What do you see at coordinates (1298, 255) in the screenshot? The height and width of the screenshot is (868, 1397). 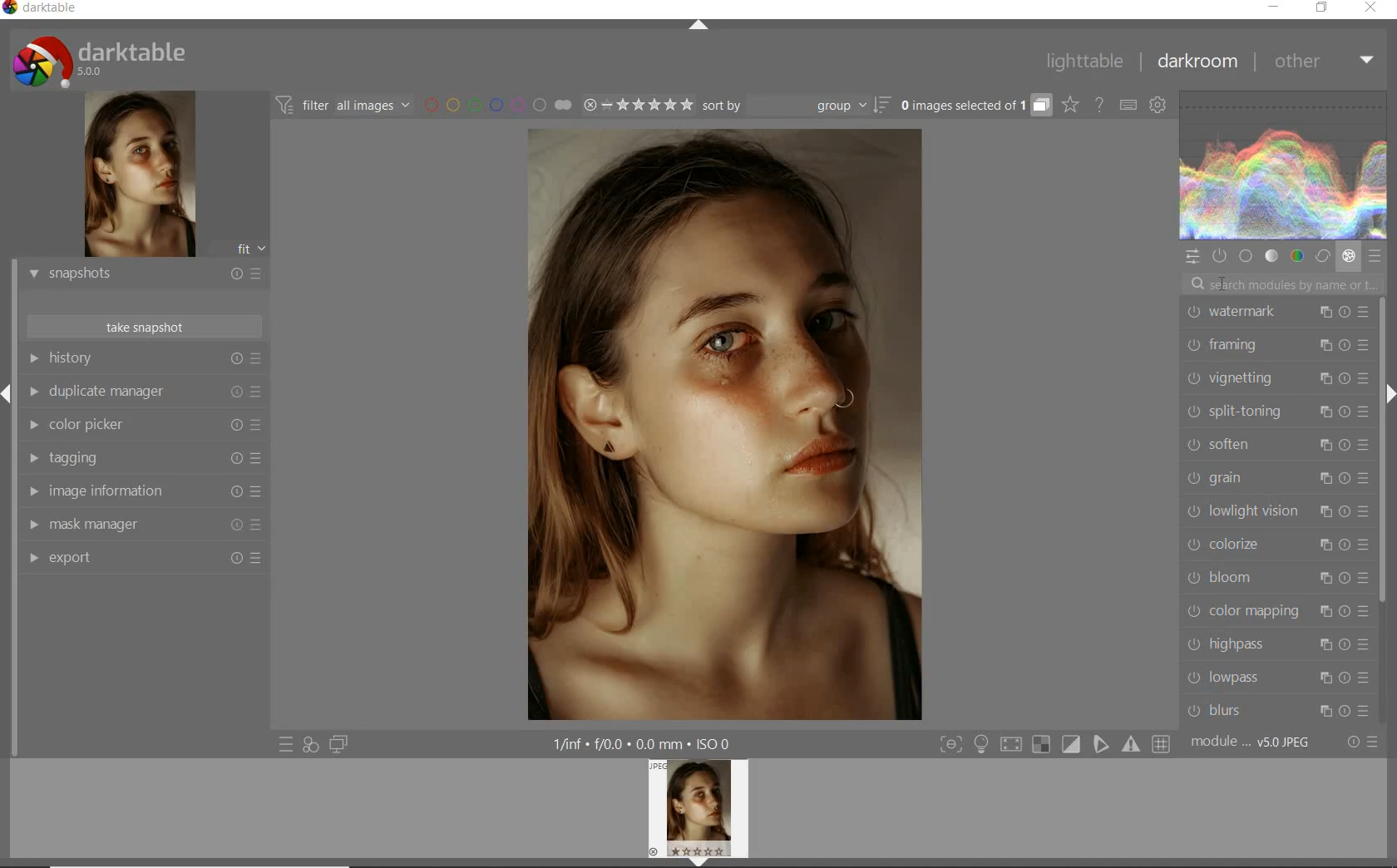 I see `color` at bounding box center [1298, 255].